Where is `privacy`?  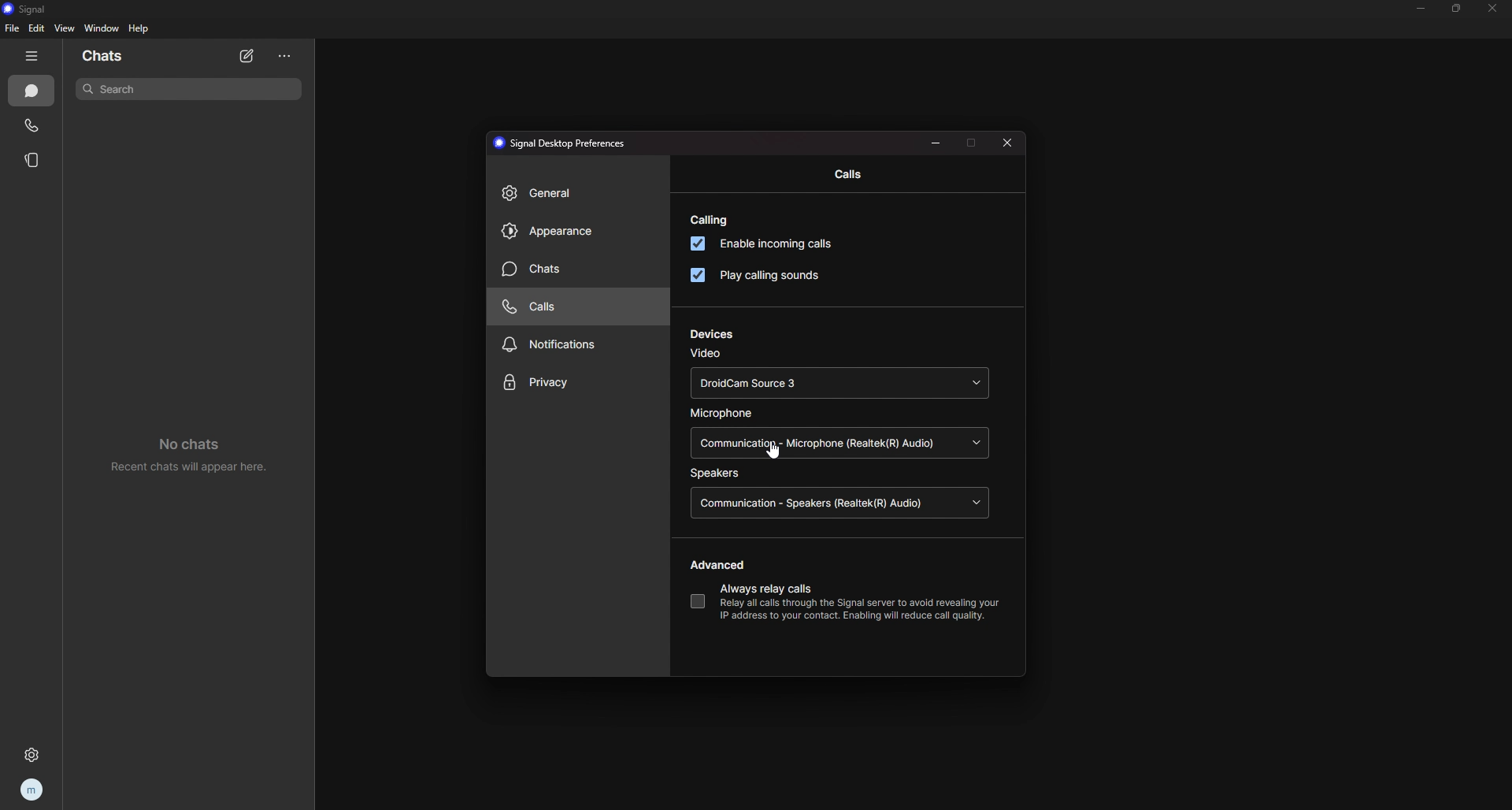 privacy is located at coordinates (579, 382).